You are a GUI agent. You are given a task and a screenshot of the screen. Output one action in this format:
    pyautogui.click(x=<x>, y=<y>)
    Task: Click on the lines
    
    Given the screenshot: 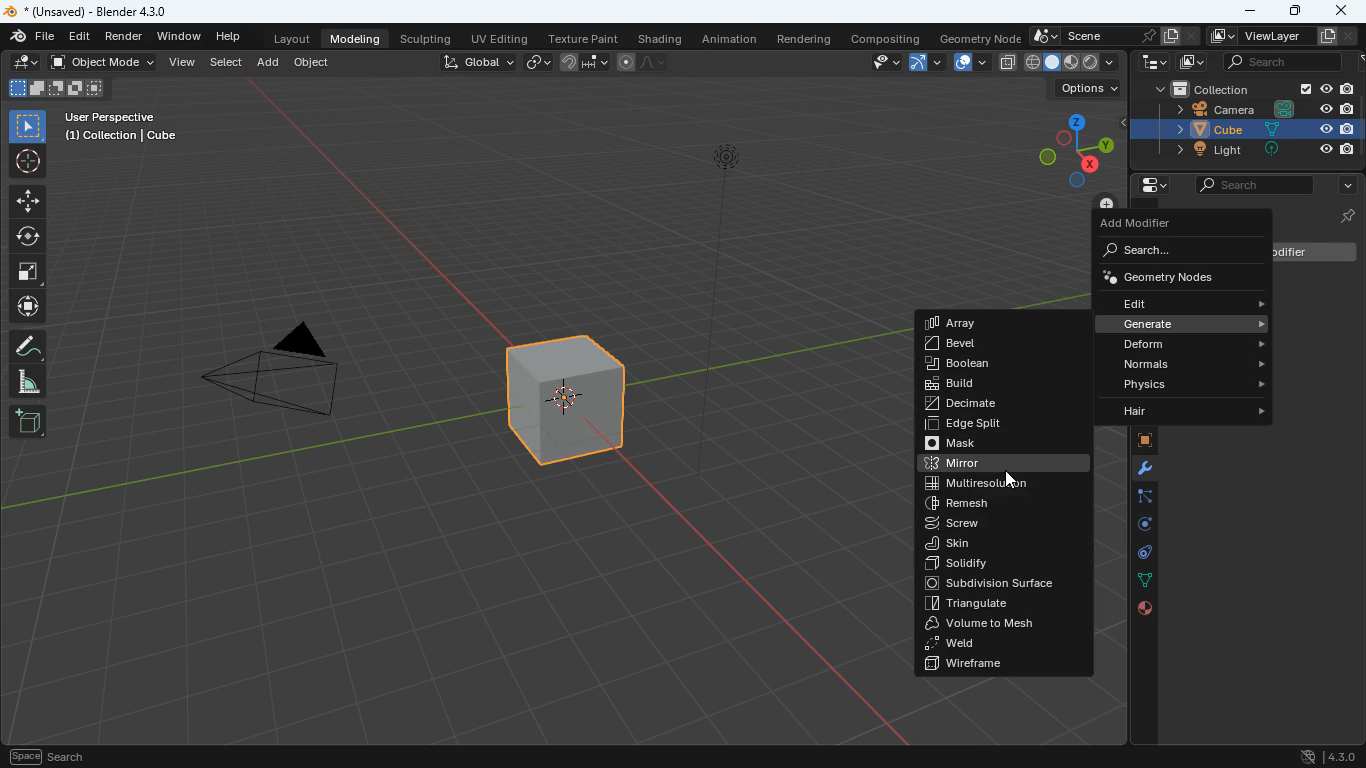 What is the action you would take?
    pyautogui.click(x=1135, y=580)
    